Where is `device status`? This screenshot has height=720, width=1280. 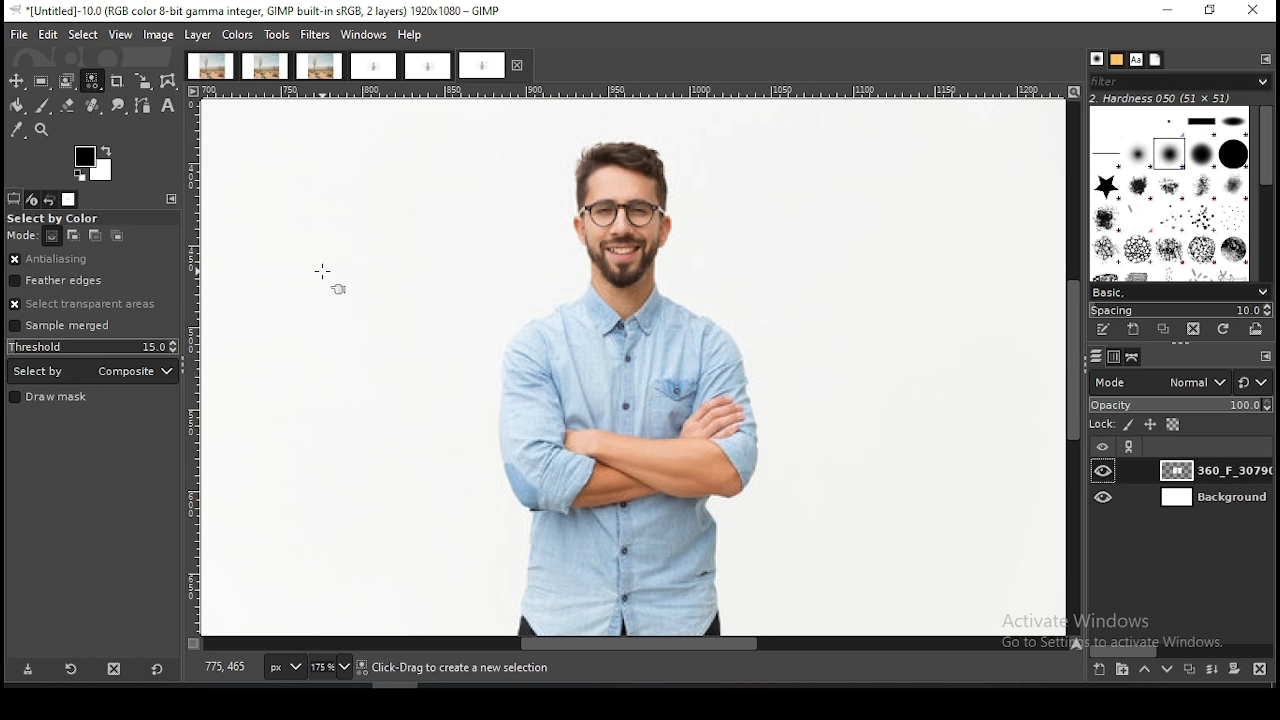 device status is located at coordinates (32, 200).